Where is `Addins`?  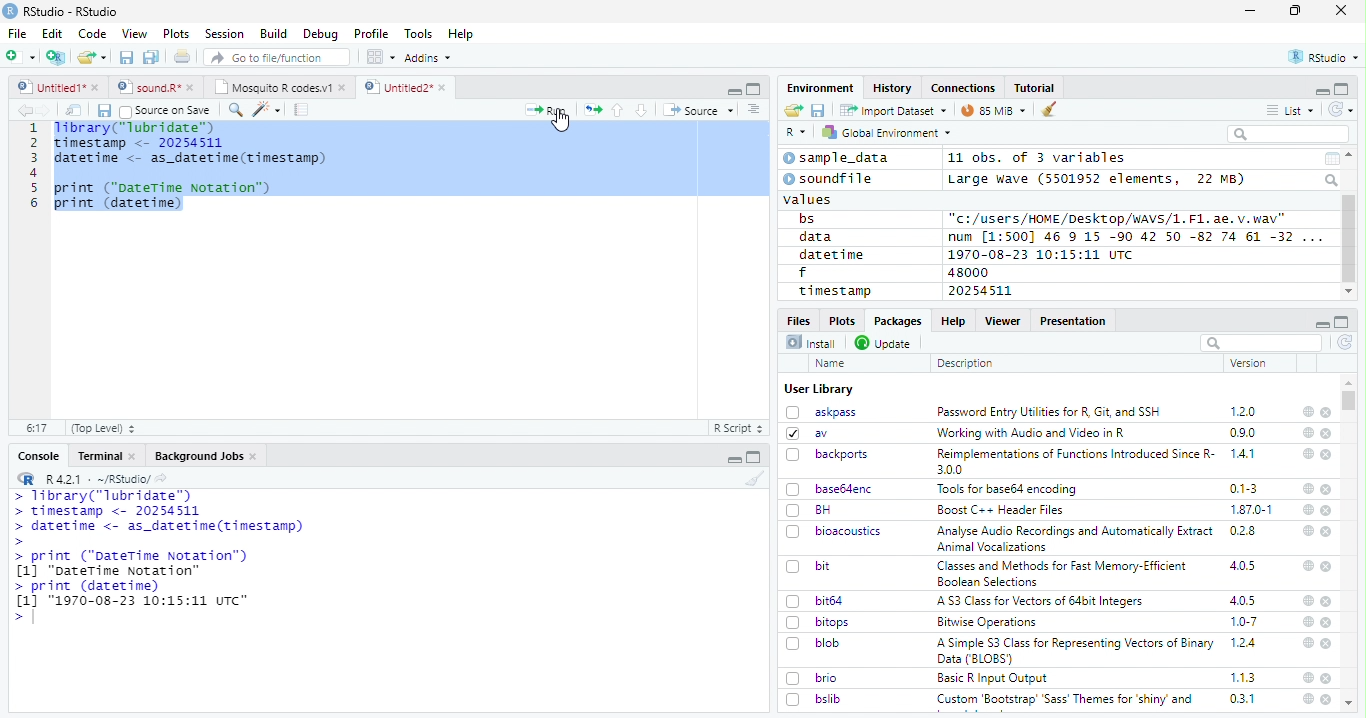
Addins is located at coordinates (428, 58).